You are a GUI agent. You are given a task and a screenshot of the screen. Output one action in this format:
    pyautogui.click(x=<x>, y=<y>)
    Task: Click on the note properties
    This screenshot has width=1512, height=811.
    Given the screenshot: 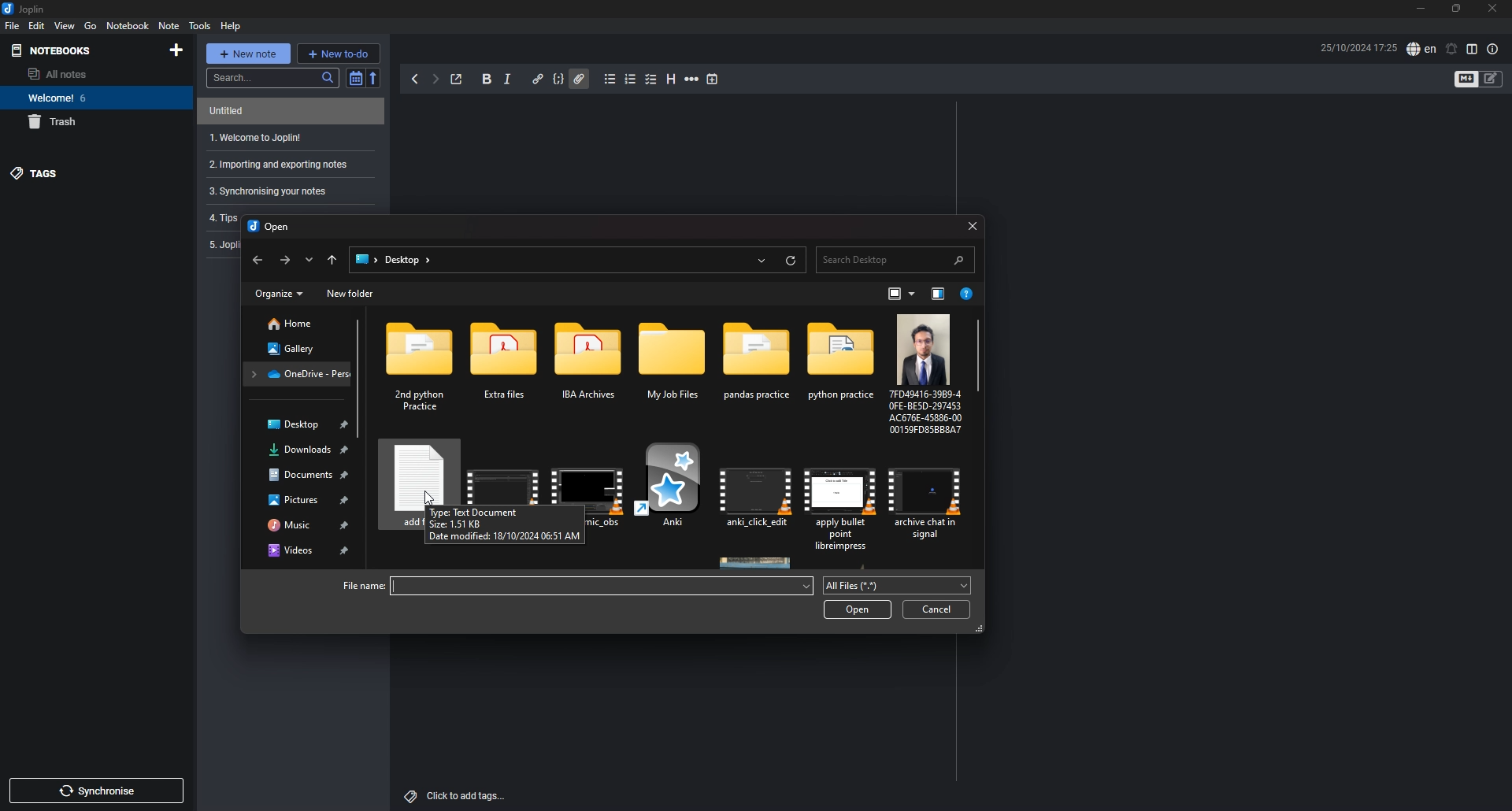 What is the action you would take?
    pyautogui.click(x=1492, y=50)
    